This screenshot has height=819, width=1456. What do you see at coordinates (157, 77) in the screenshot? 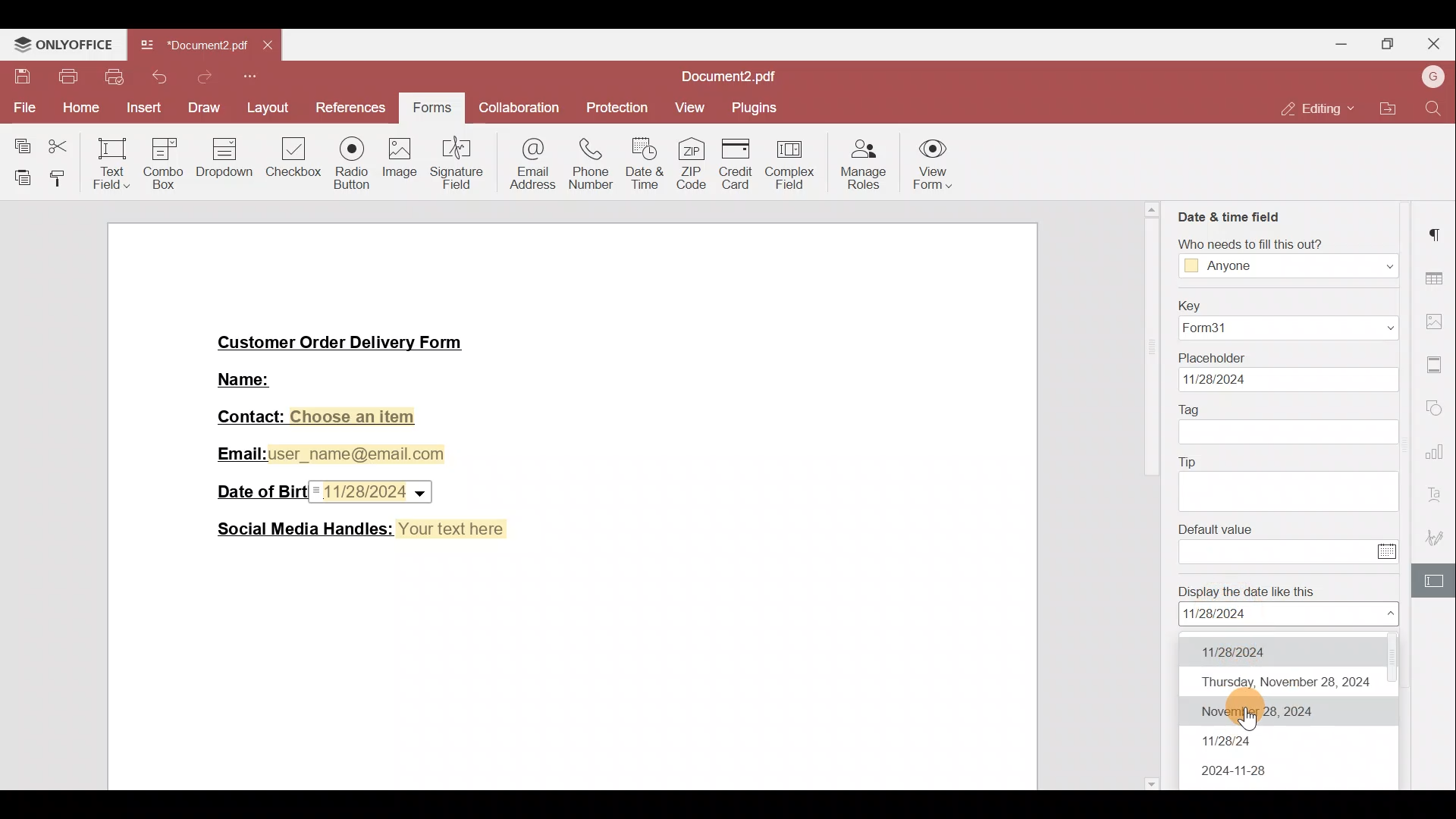
I see `Undo` at bounding box center [157, 77].